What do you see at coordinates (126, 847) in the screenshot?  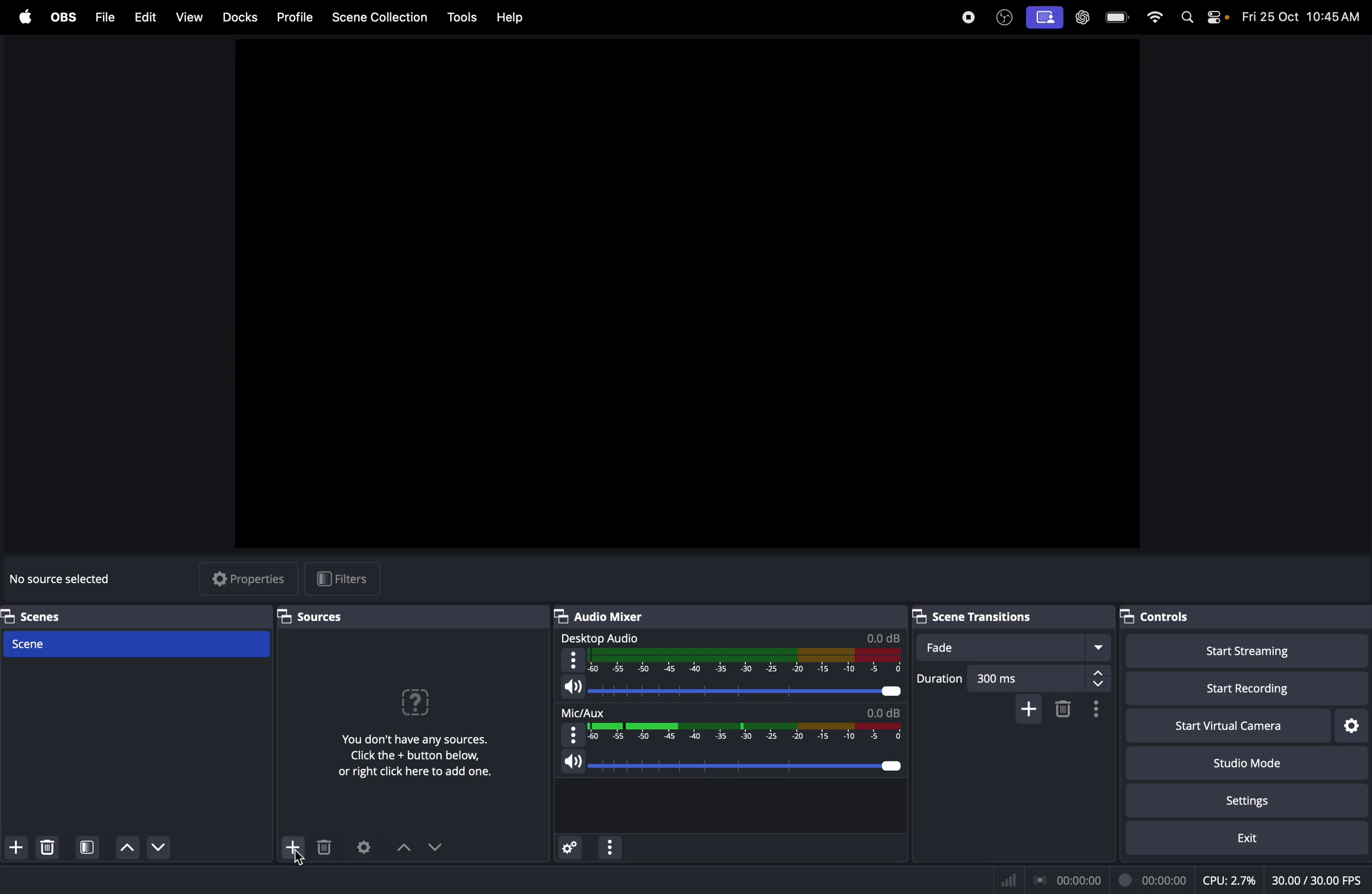 I see `move scene down` at bounding box center [126, 847].